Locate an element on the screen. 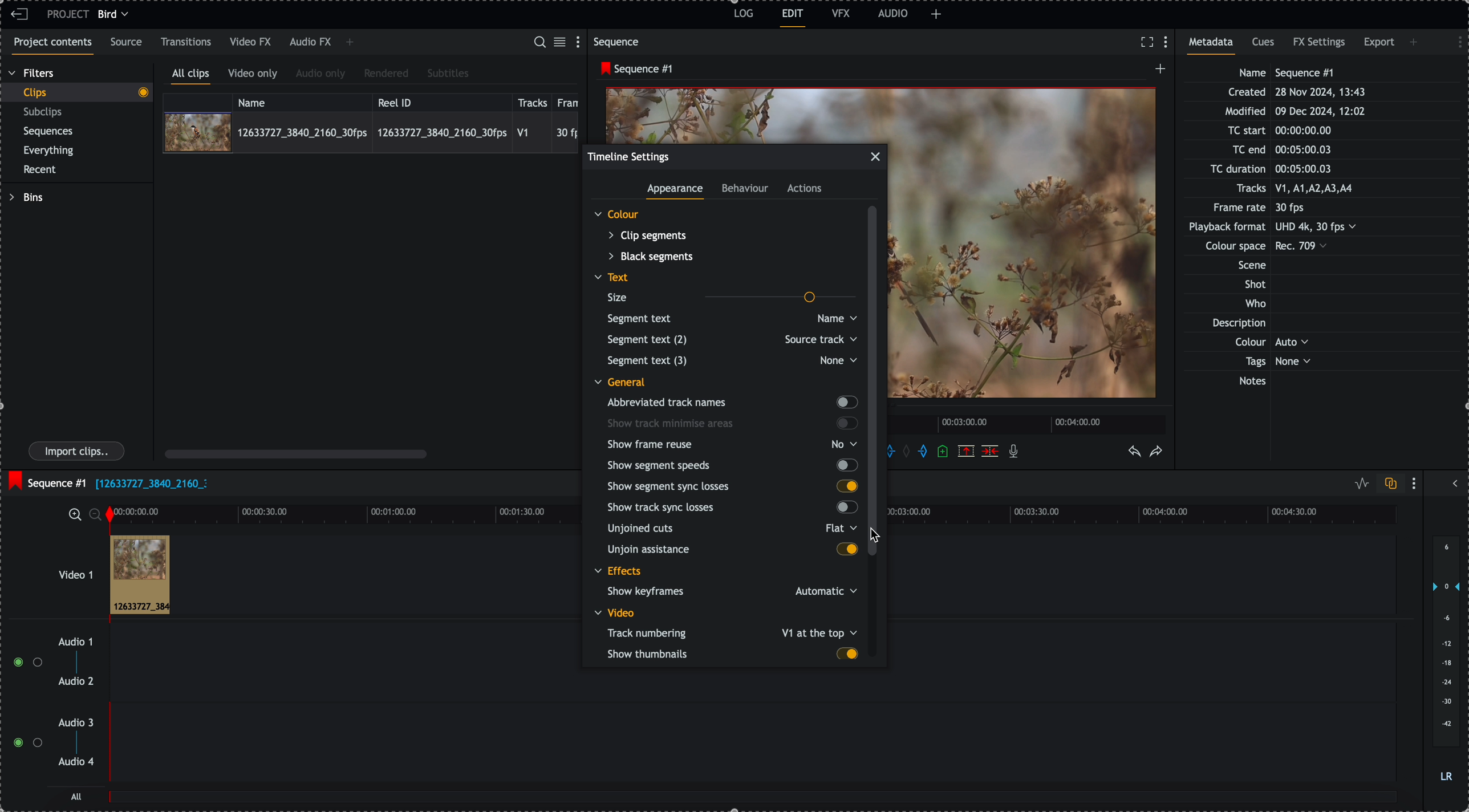  track numbering is located at coordinates (731, 633).